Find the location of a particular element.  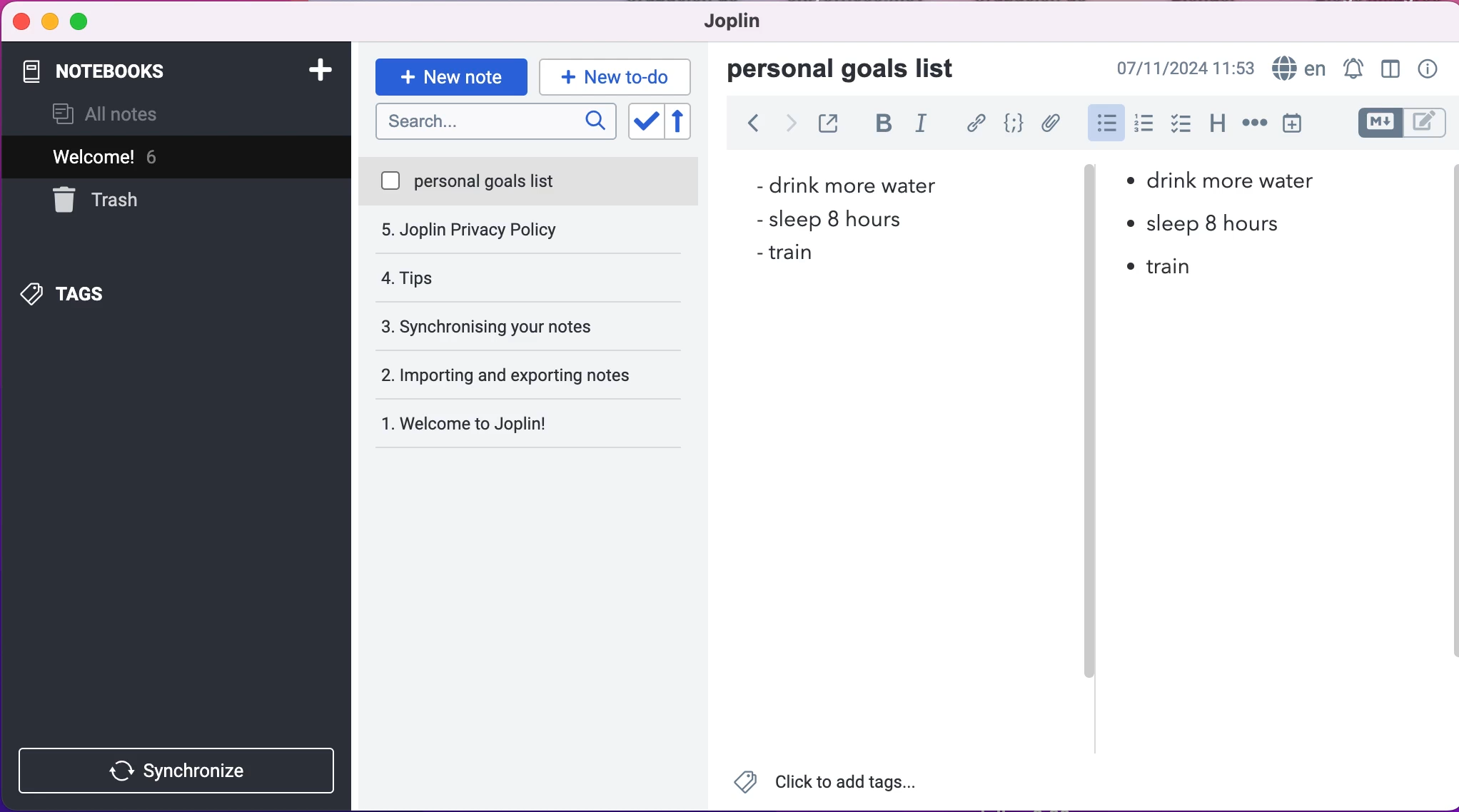

train is located at coordinates (1166, 269).